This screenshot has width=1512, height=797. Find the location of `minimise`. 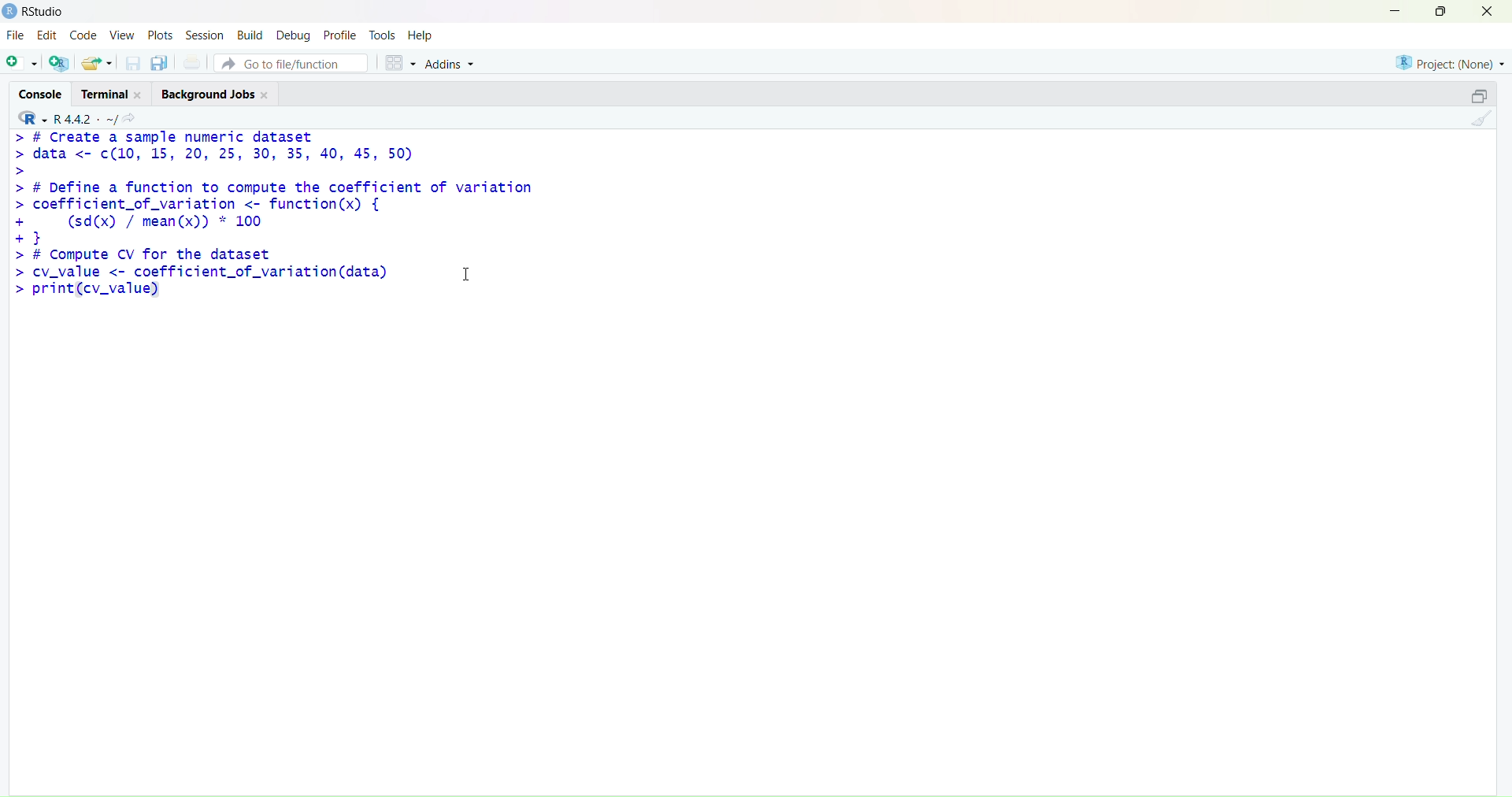

minimise is located at coordinates (1396, 10).